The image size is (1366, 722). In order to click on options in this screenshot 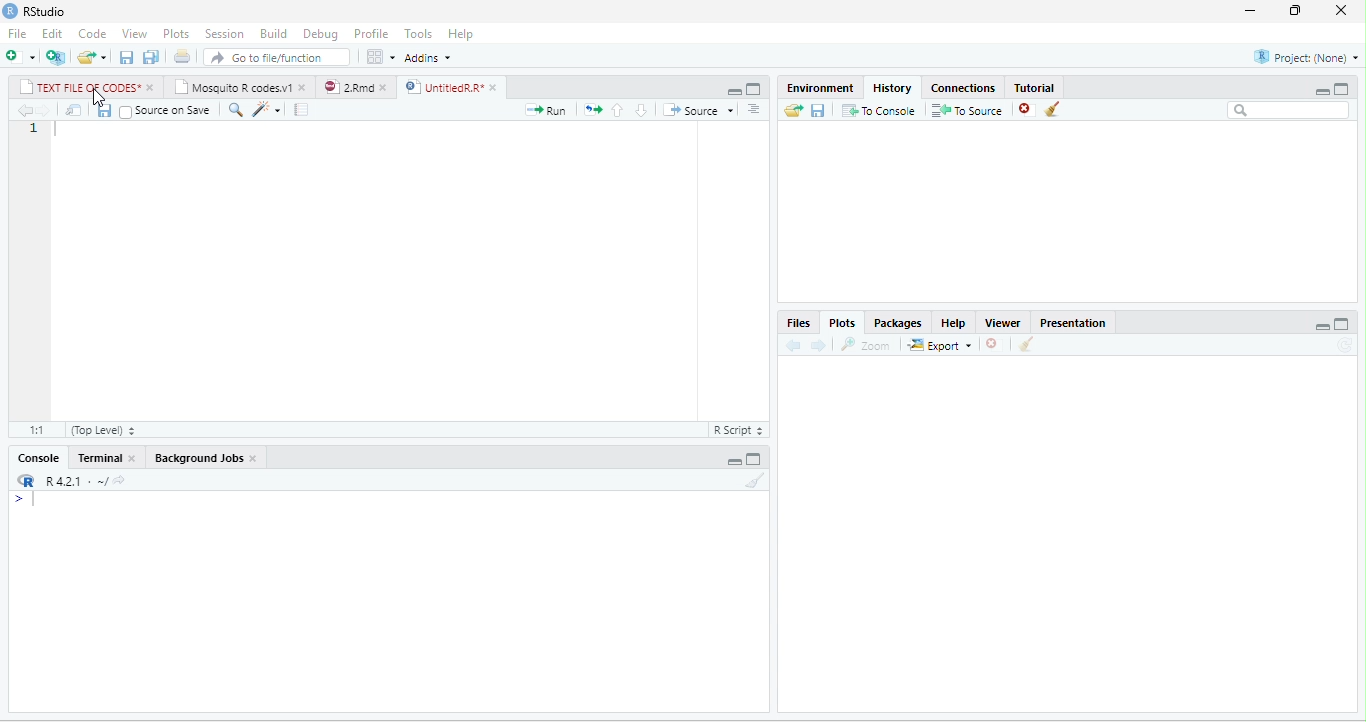, I will do `click(381, 57)`.